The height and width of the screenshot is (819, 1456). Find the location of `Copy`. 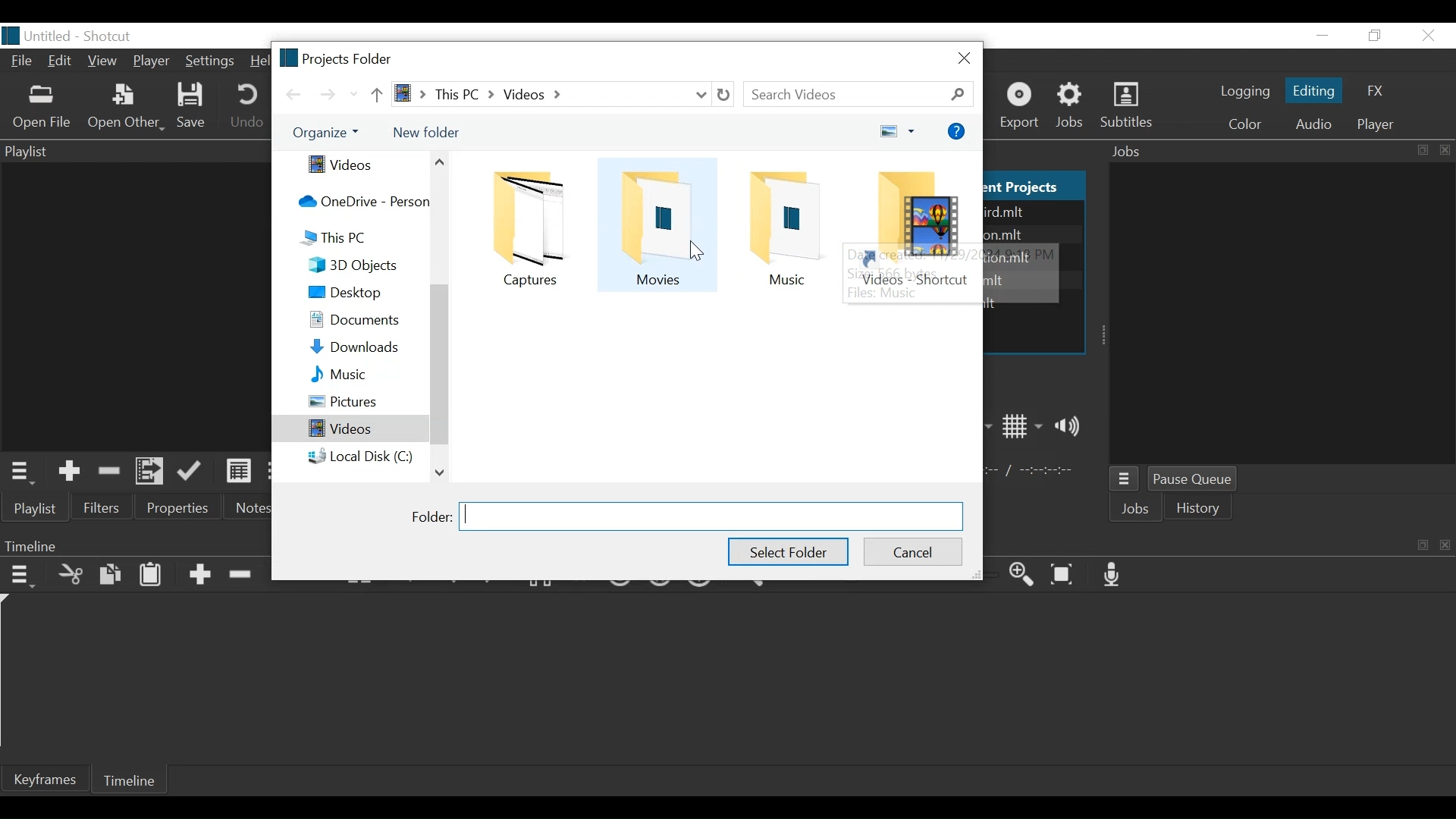

Copy is located at coordinates (111, 575).